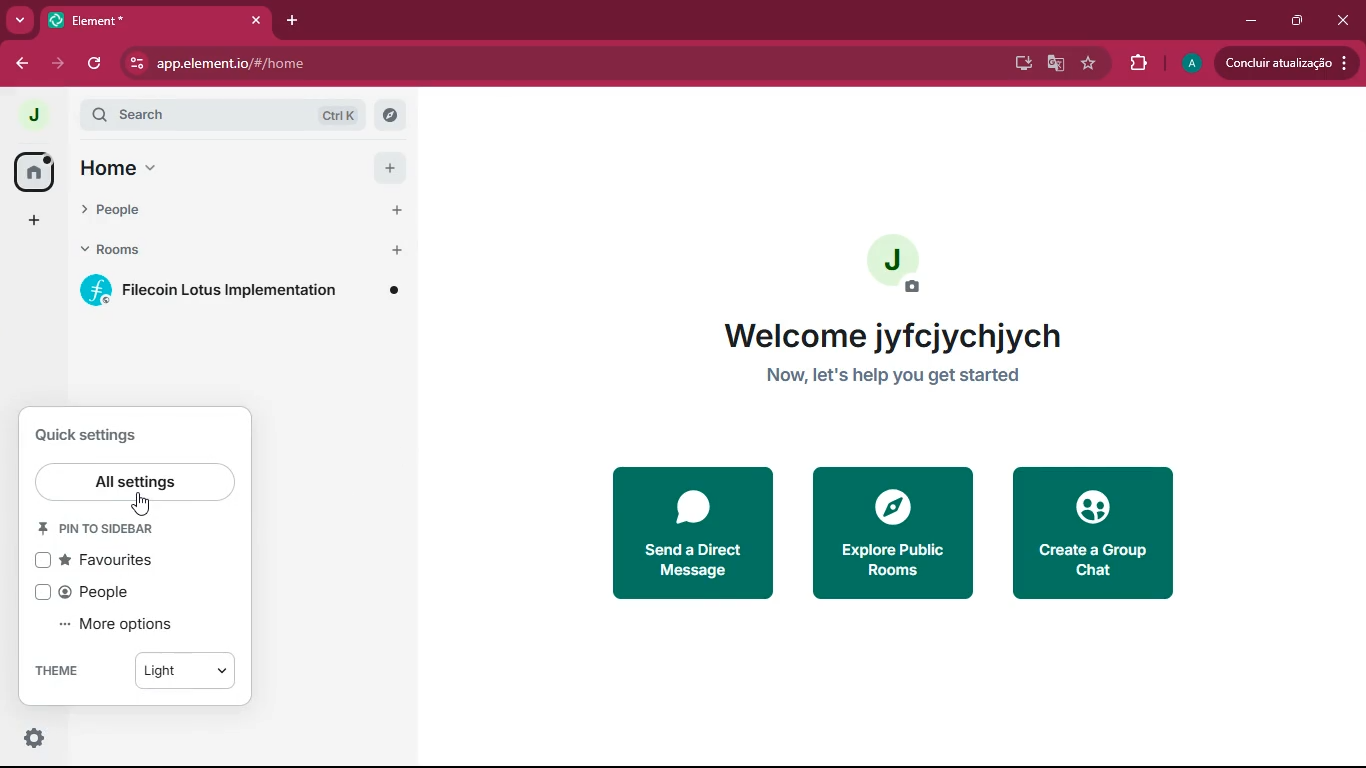 The height and width of the screenshot is (768, 1366). What do you see at coordinates (242, 289) in the screenshot?
I see `filecoin lotus implementation` at bounding box center [242, 289].